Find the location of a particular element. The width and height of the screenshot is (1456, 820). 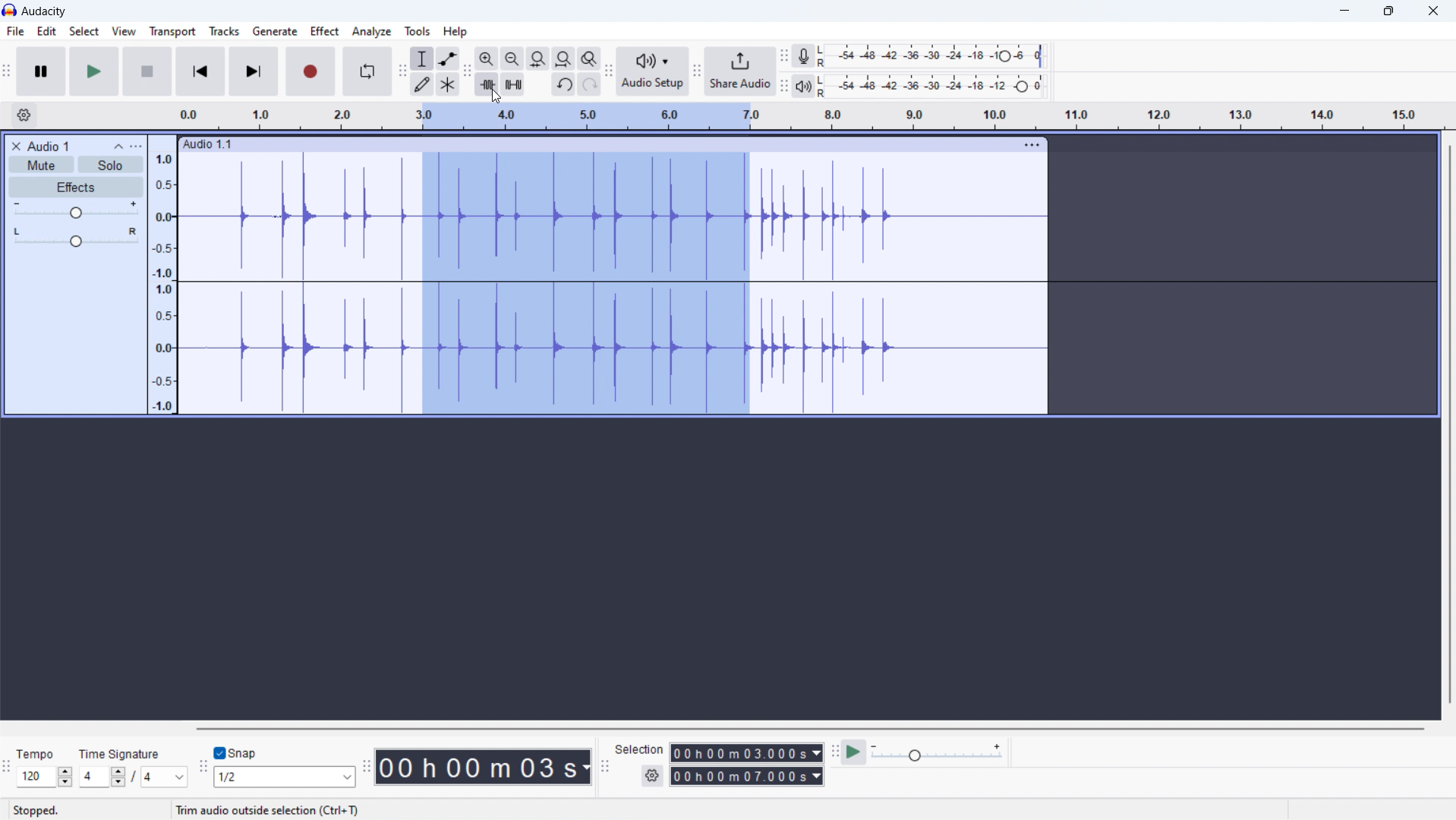

Click and drag to select audio (Esc to cancel) is located at coordinates (297, 811).